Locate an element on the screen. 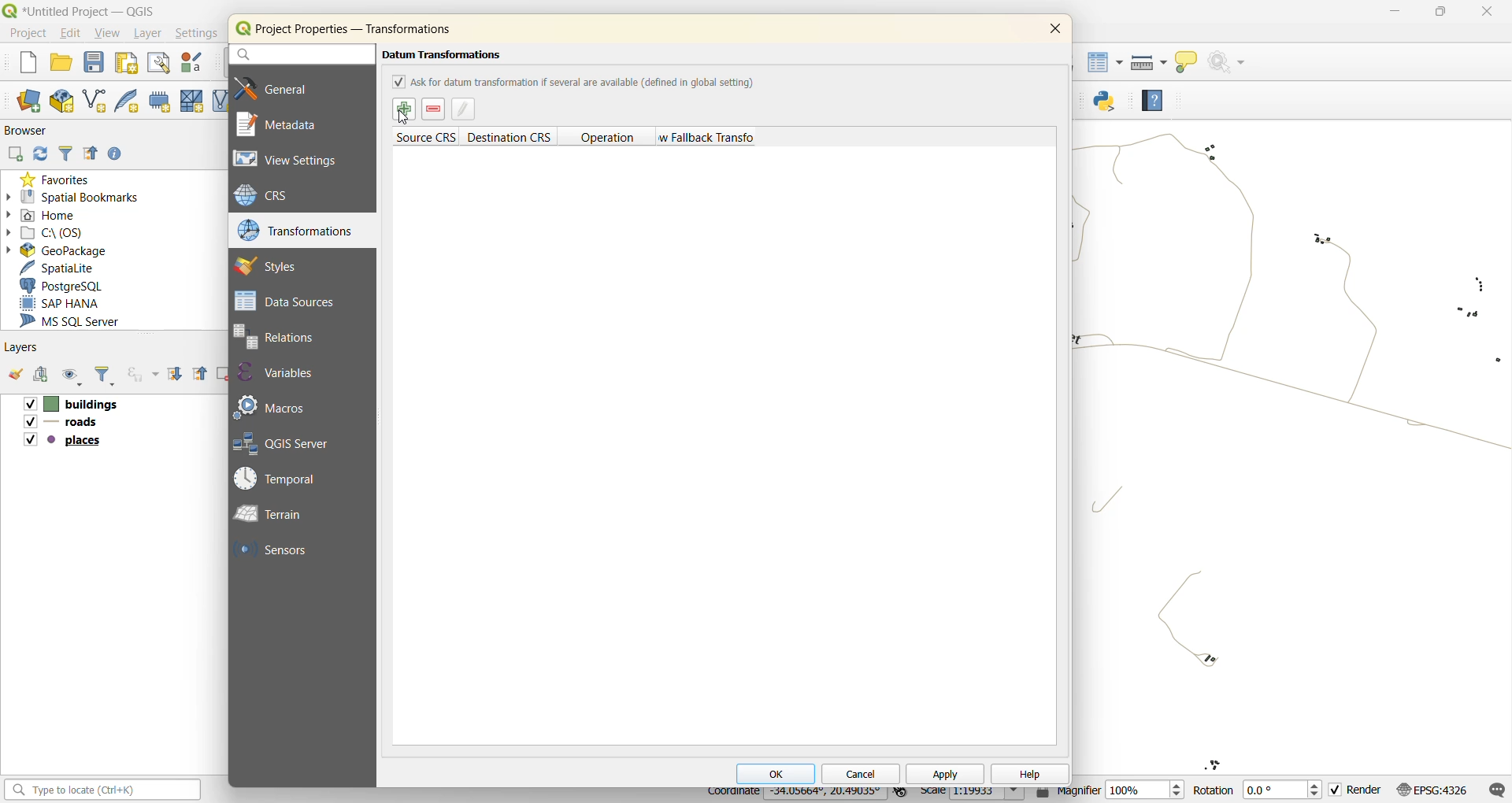 The image size is (1512, 803). show tips is located at coordinates (1186, 64).